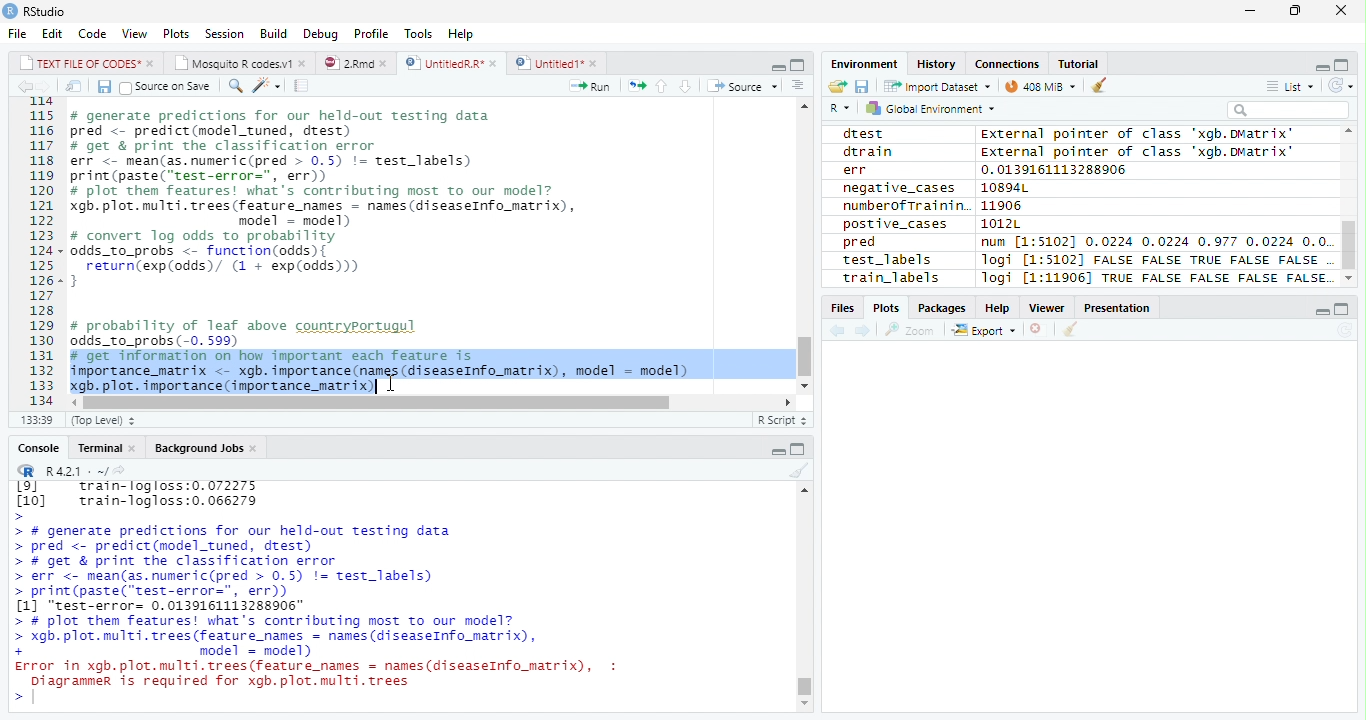 This screenshot has height=720, width=1366. Describe the element at coordinates (1138, 151) in the screenshot. I see `External pointer of class "xgb.DMatrix'` at that location.